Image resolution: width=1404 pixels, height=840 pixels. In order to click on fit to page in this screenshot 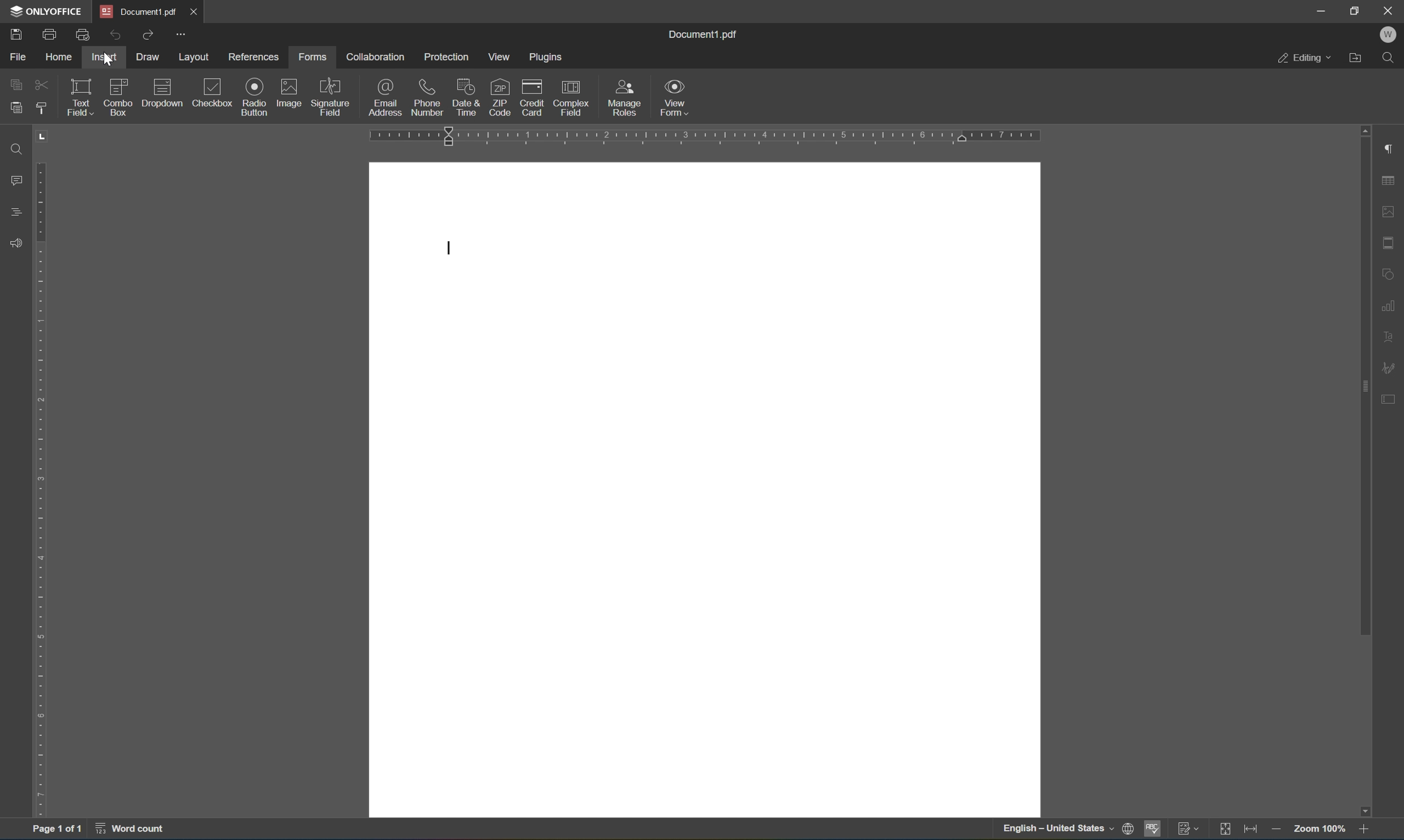, I will do `click(1225, 830)`.